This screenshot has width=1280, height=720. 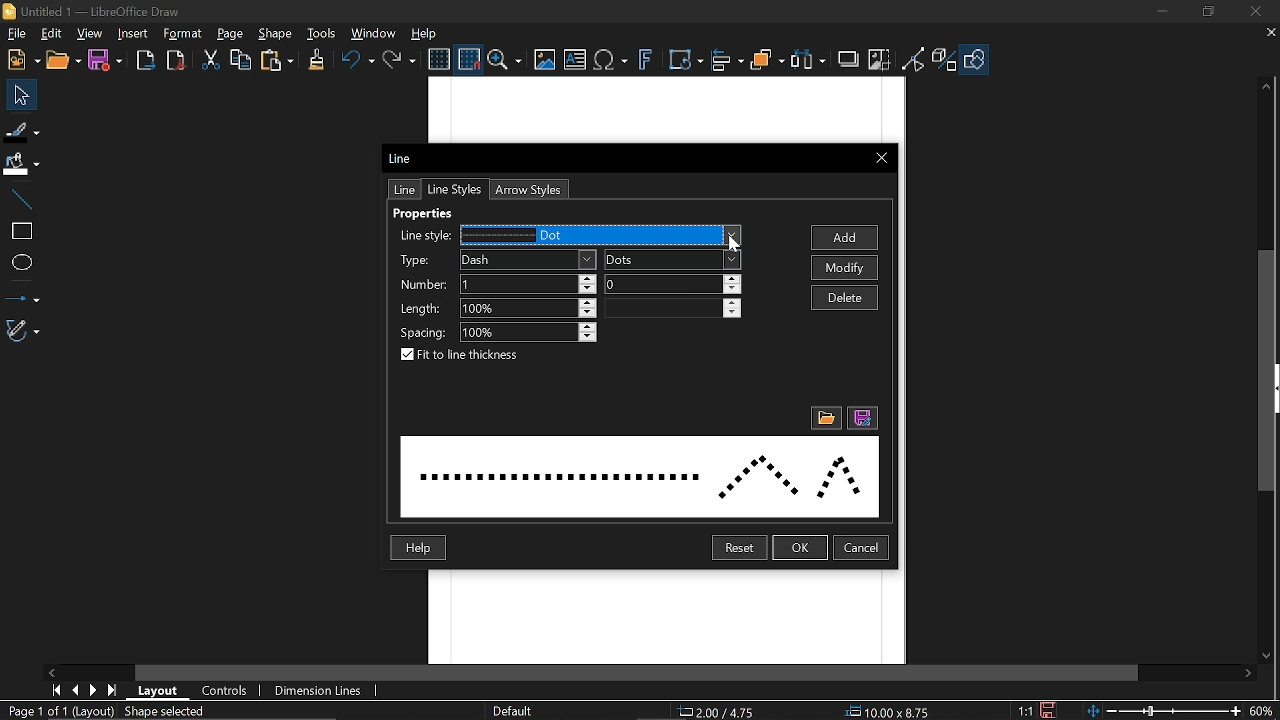 I want to click on Move right, so click(x=1251, y=674).